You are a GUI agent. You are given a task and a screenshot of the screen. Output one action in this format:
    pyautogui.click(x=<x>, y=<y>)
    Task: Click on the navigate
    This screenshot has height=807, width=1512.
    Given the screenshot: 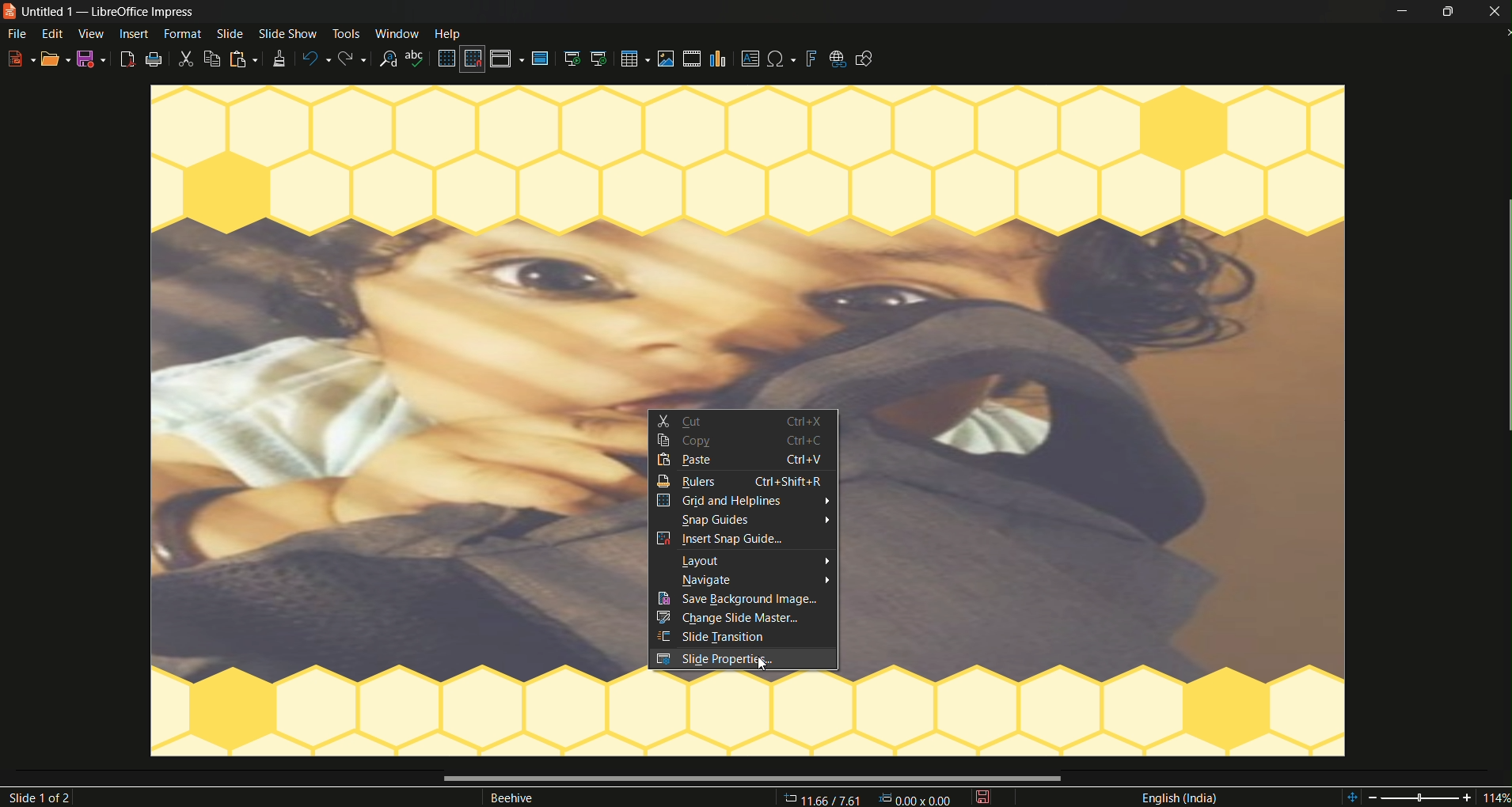 What is the action you would take?
    pyautogui.click(x=720, y=580)
    